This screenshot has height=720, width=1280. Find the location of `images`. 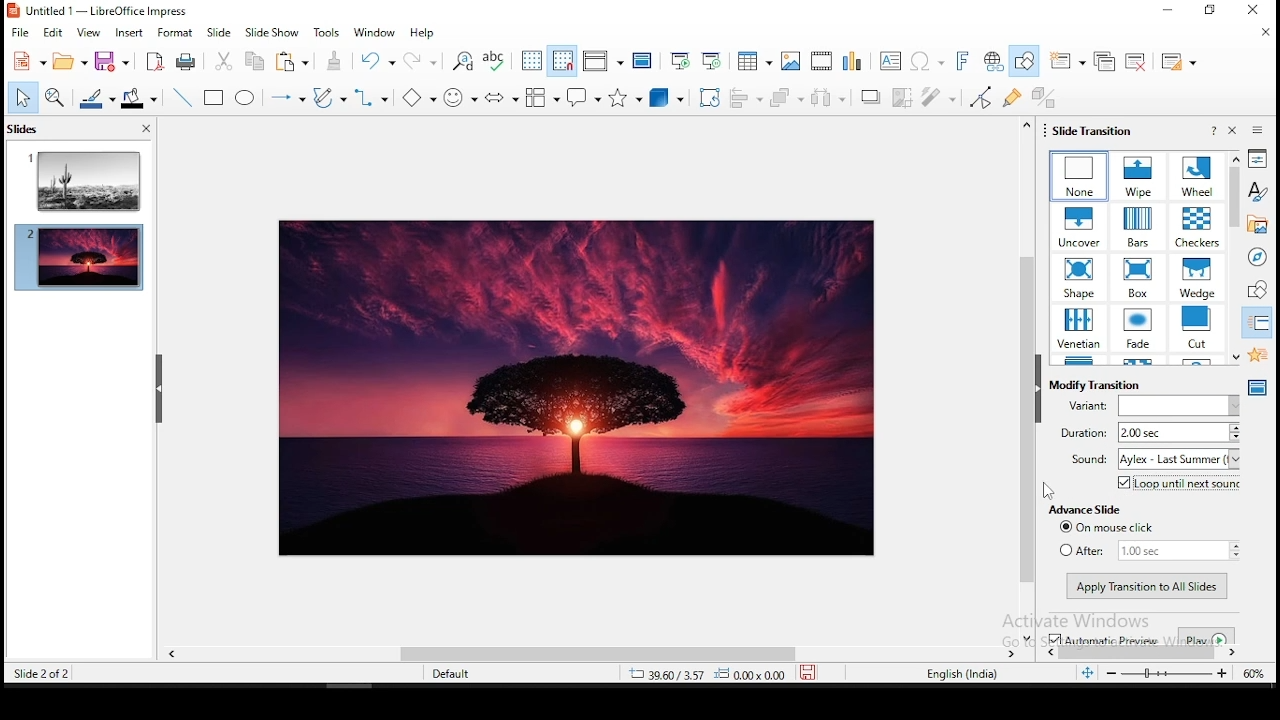

images is located at coordinates (791, 60).